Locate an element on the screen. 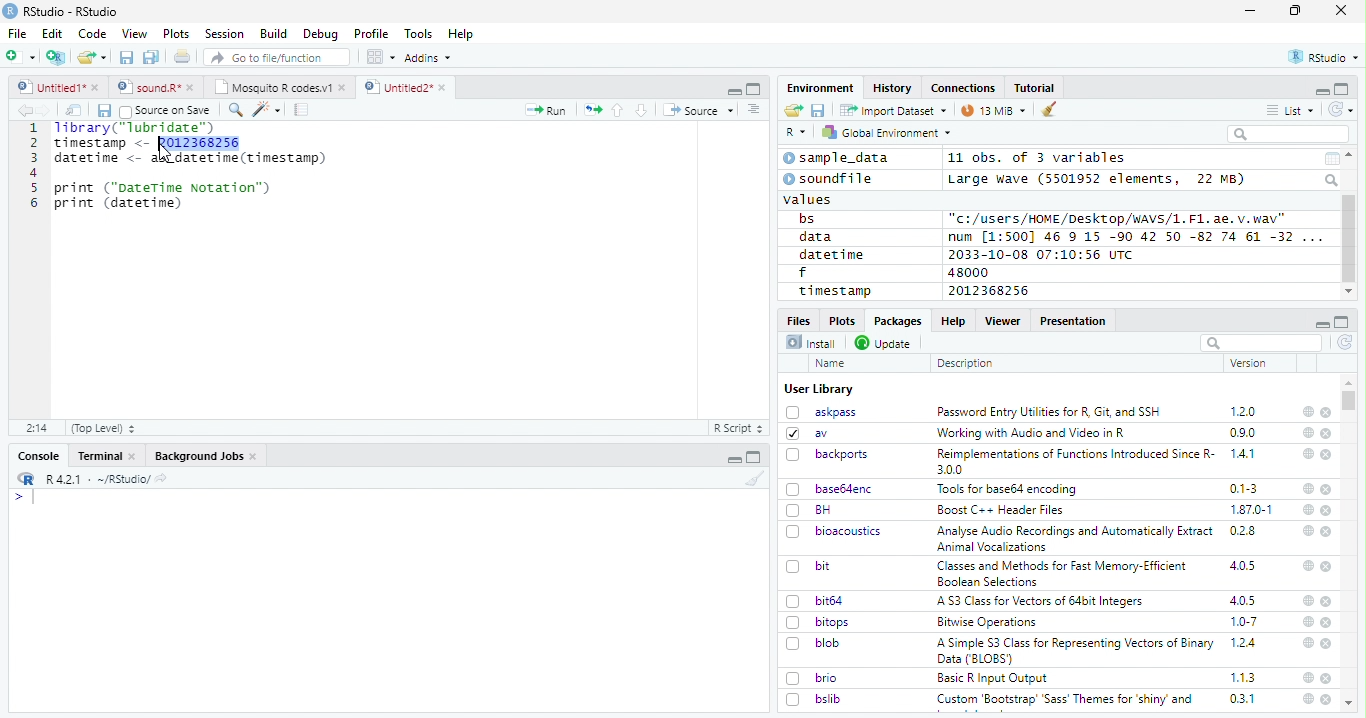 Image resolution: width=1366 pixels, height=718 pixels. Profile is located at coordinates (371, 34).